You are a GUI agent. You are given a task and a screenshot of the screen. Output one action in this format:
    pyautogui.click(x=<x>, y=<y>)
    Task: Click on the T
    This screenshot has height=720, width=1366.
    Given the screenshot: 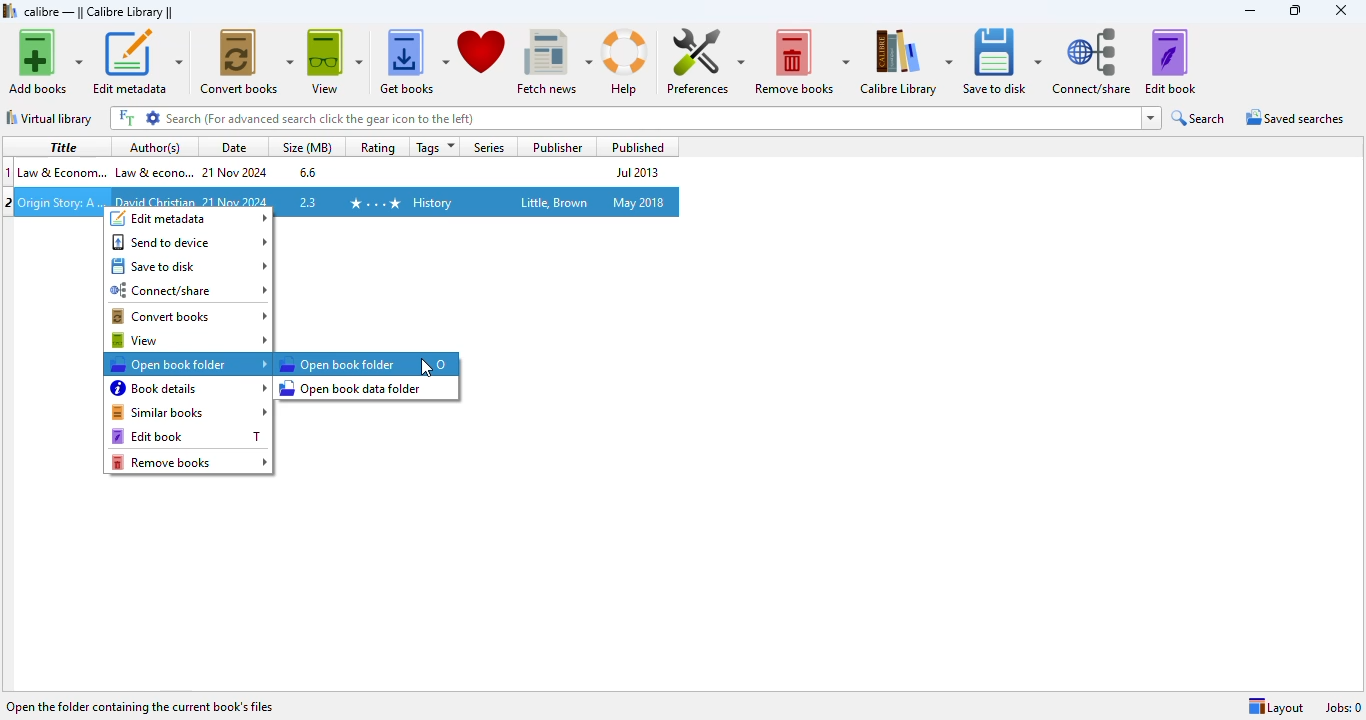 What is the action you would take?
    pyautogui.click(x=256, y=436)
    